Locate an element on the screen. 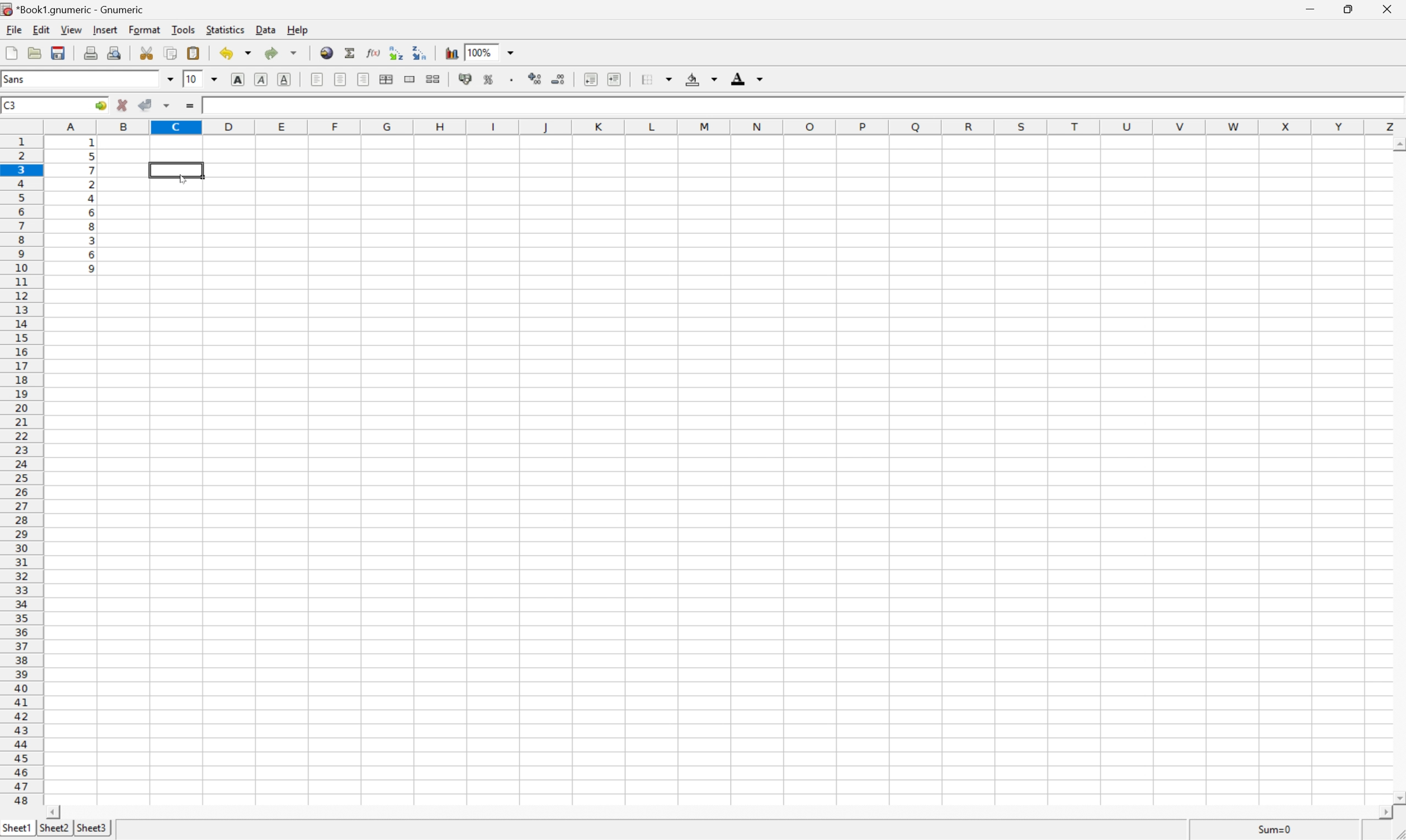 The height and width of the screenshot is (840, 1406). column names is located at coordinates (724, 126).